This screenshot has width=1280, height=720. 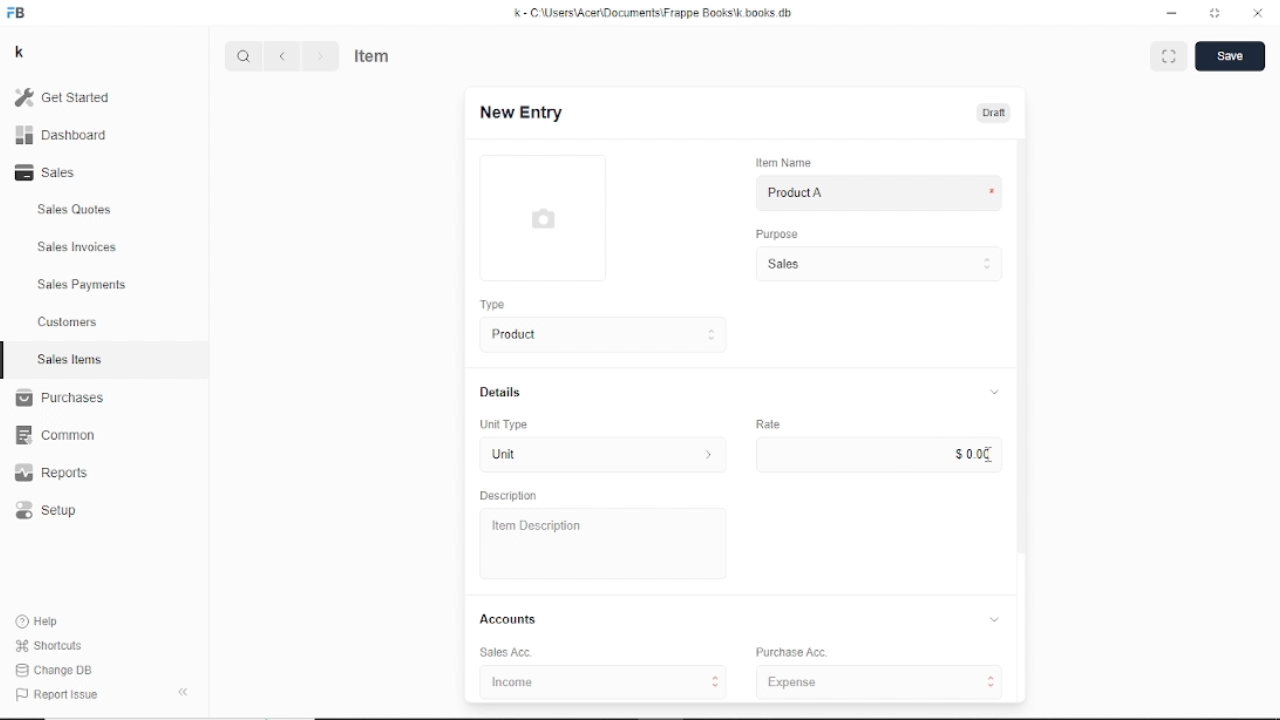 I want to click on Purchase Acc., so click(x=790, y=653).